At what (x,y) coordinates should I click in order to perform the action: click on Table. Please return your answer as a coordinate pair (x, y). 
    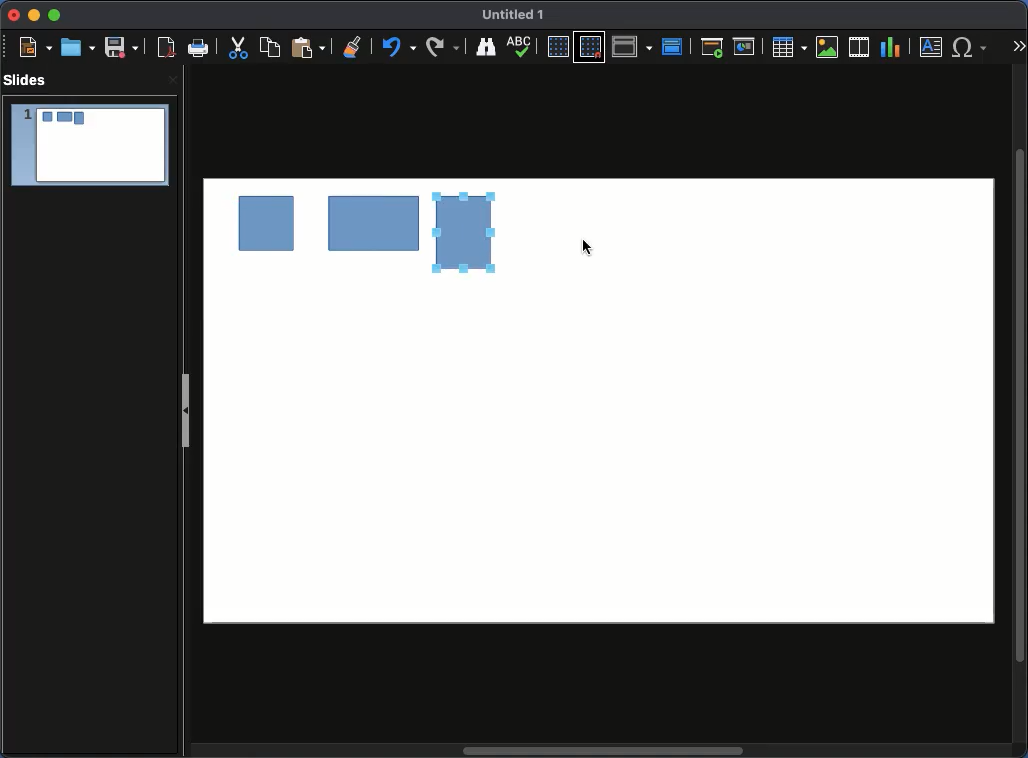
    Looking at the image, I should click on (790, 47).